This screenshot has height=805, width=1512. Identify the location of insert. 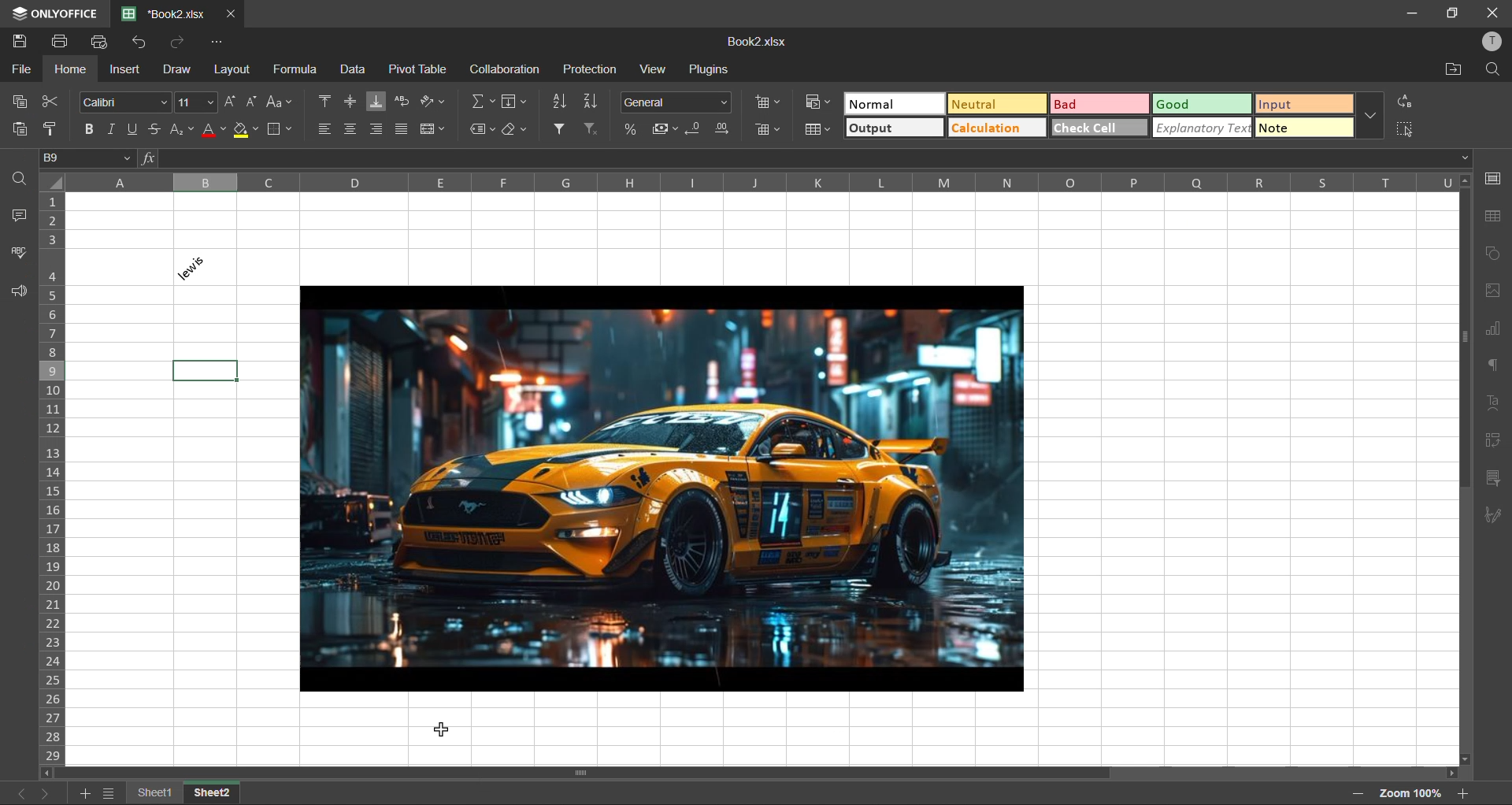
(127, 71).